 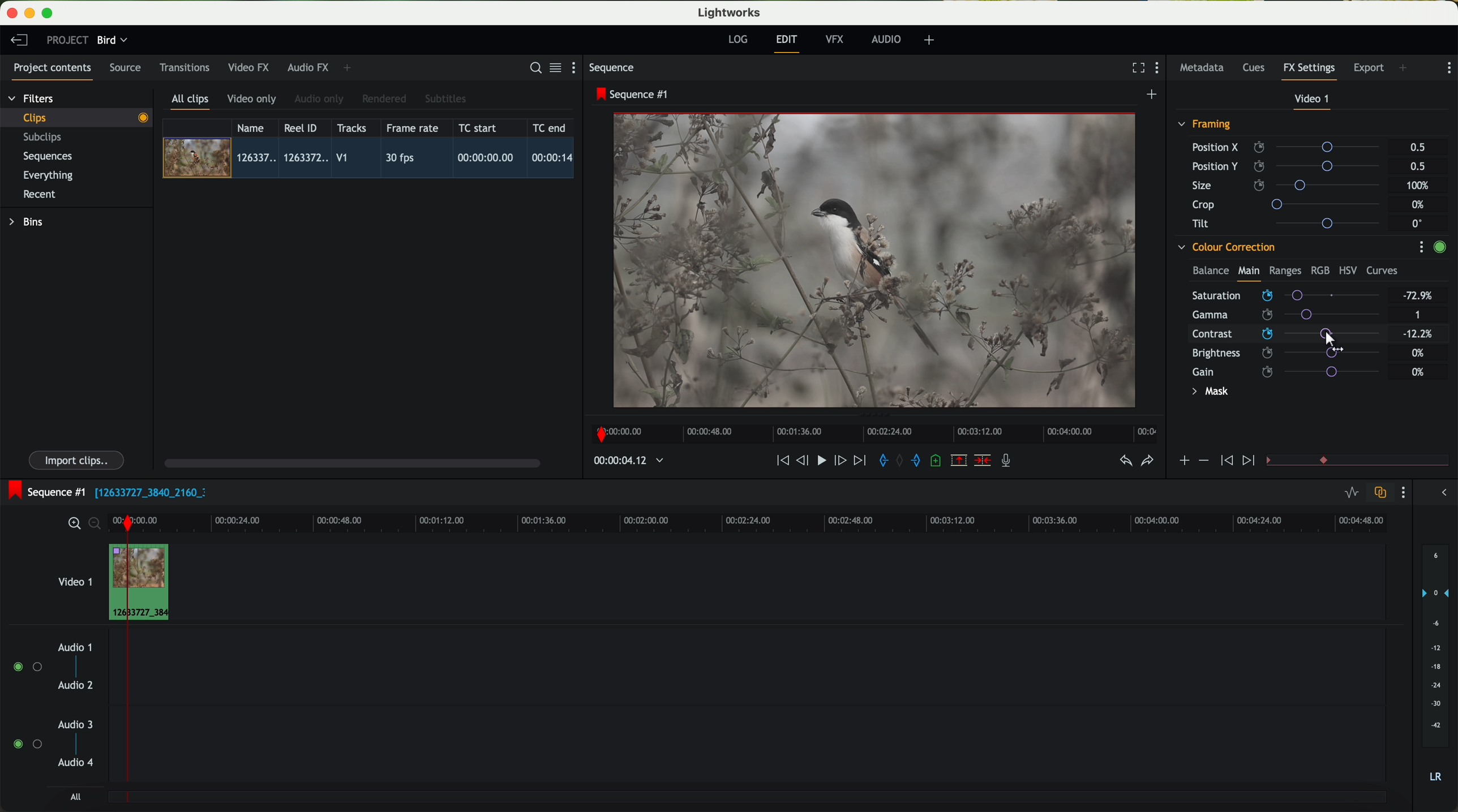 I want to click on recent, so click(x=40, y=196).